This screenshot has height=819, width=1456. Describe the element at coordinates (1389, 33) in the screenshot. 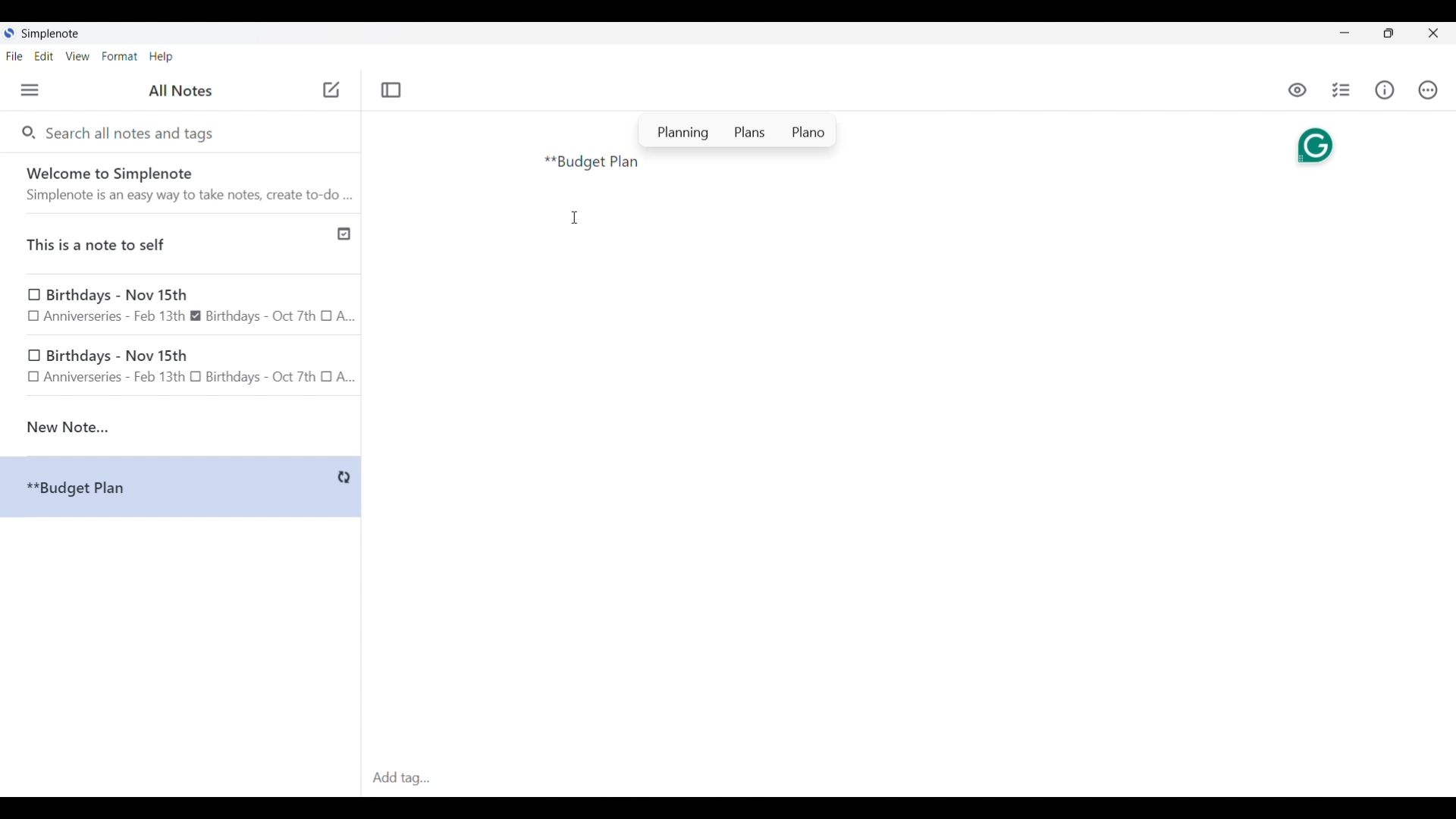

I see `Show interface in a smaller tab` at that location.